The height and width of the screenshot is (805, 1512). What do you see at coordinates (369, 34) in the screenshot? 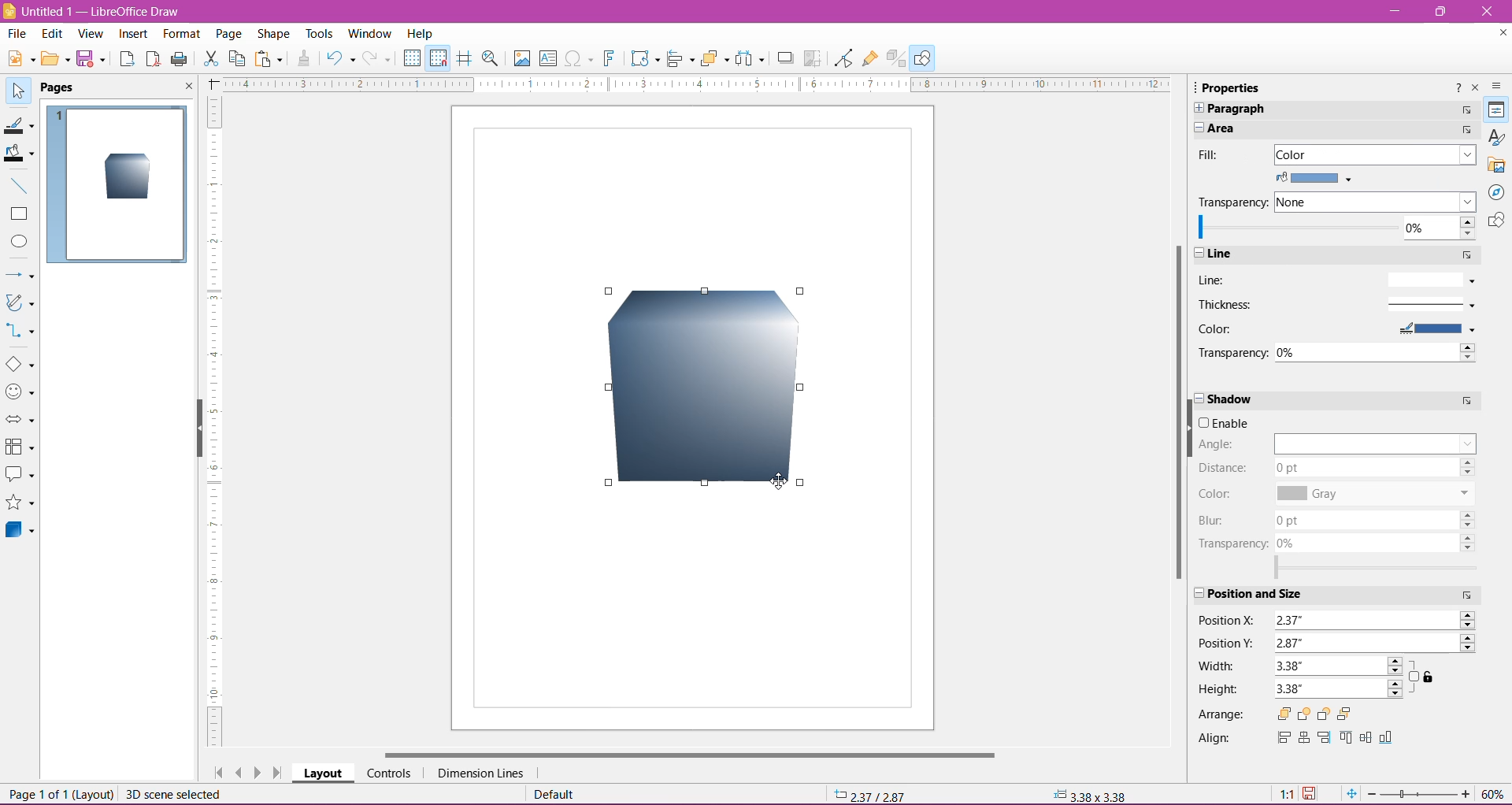
I see `Window` at bounding box center [369, 34].